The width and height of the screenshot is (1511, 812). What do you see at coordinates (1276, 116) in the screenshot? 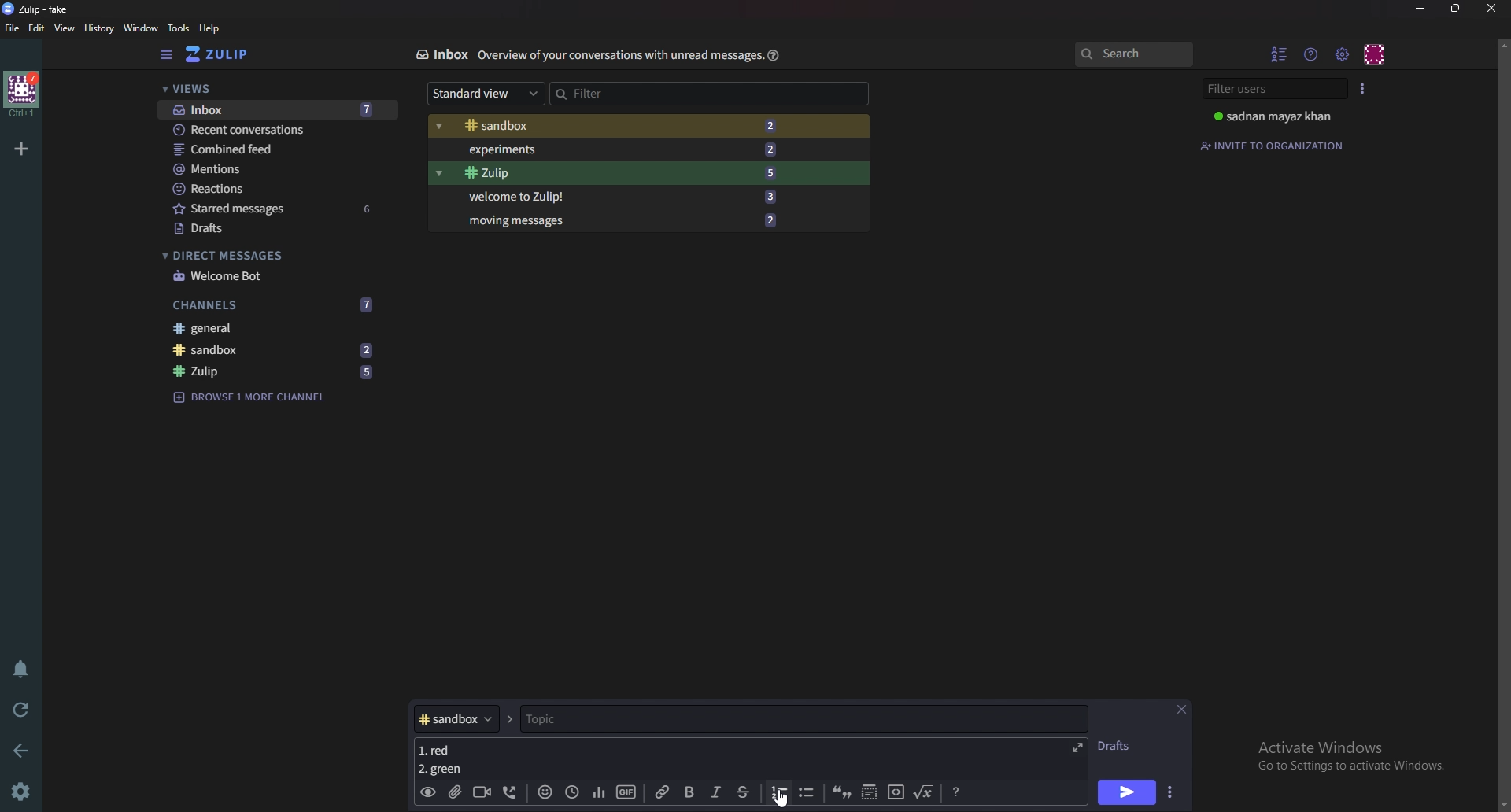
I see `User` at bounding box center [1276, 116].